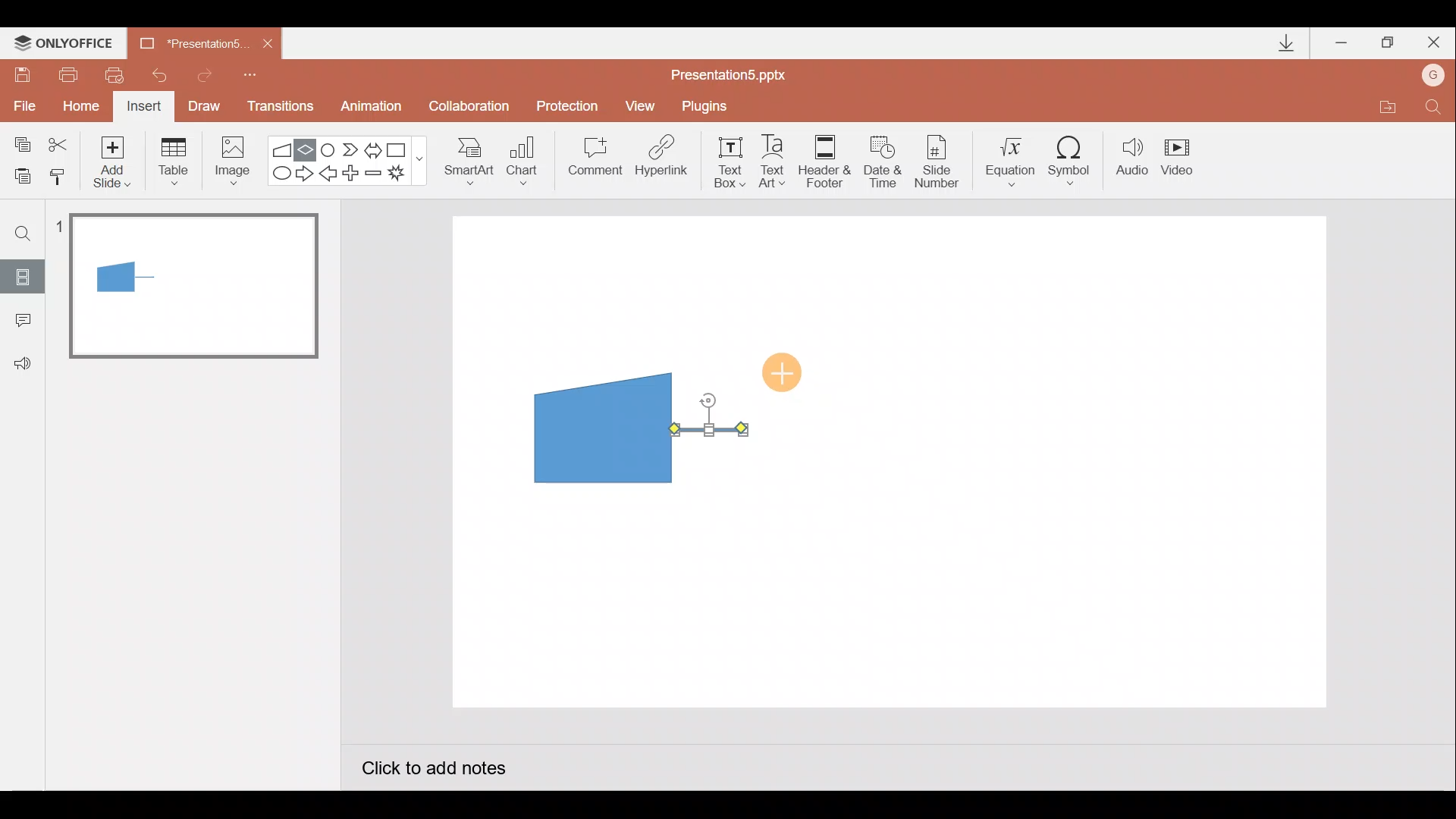 This screenshot has width=1456, height=819. I want to click on Flowchart-connector, so click(329, 149).